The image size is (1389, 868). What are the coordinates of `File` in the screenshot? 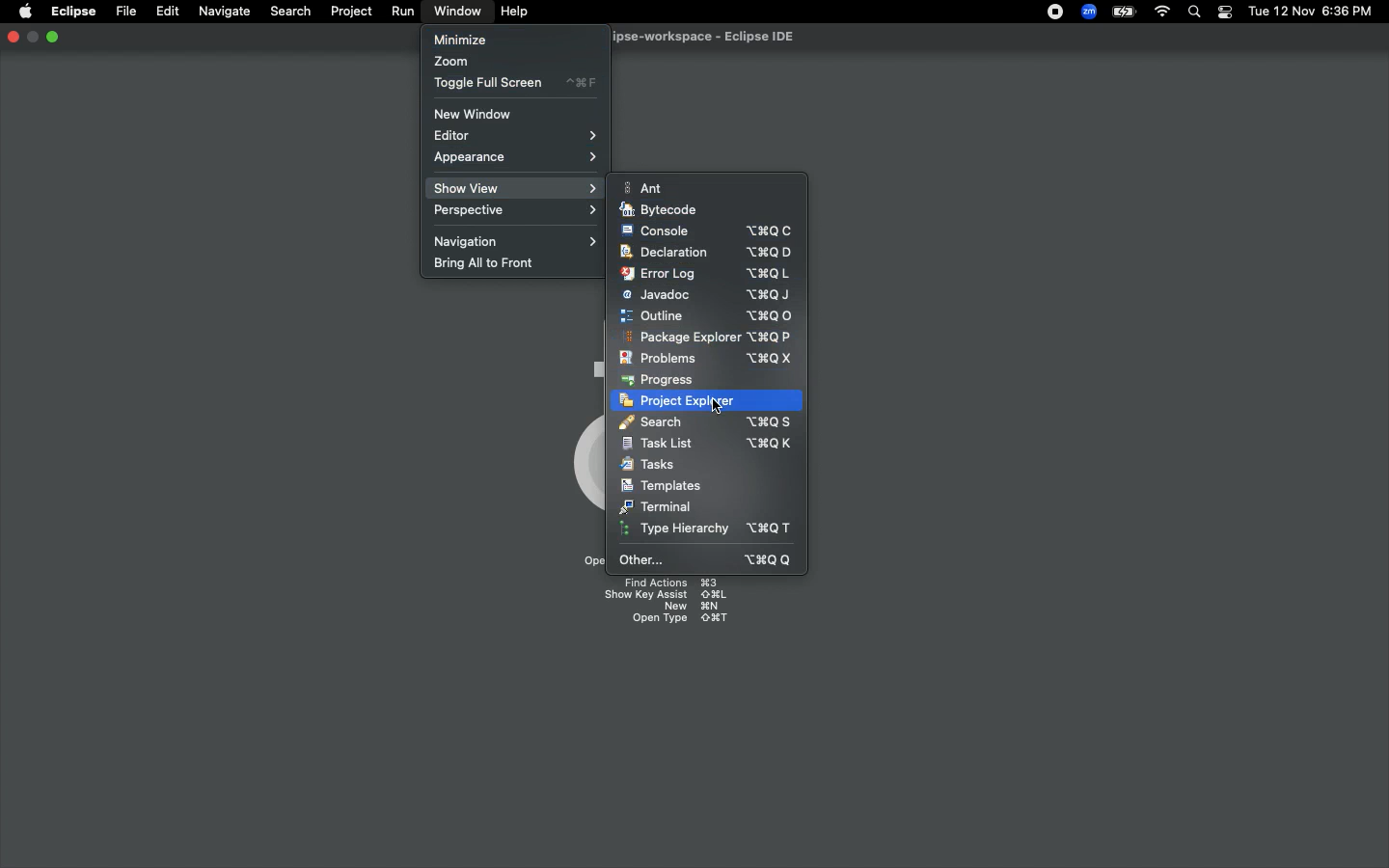 It's located at (124, 12).